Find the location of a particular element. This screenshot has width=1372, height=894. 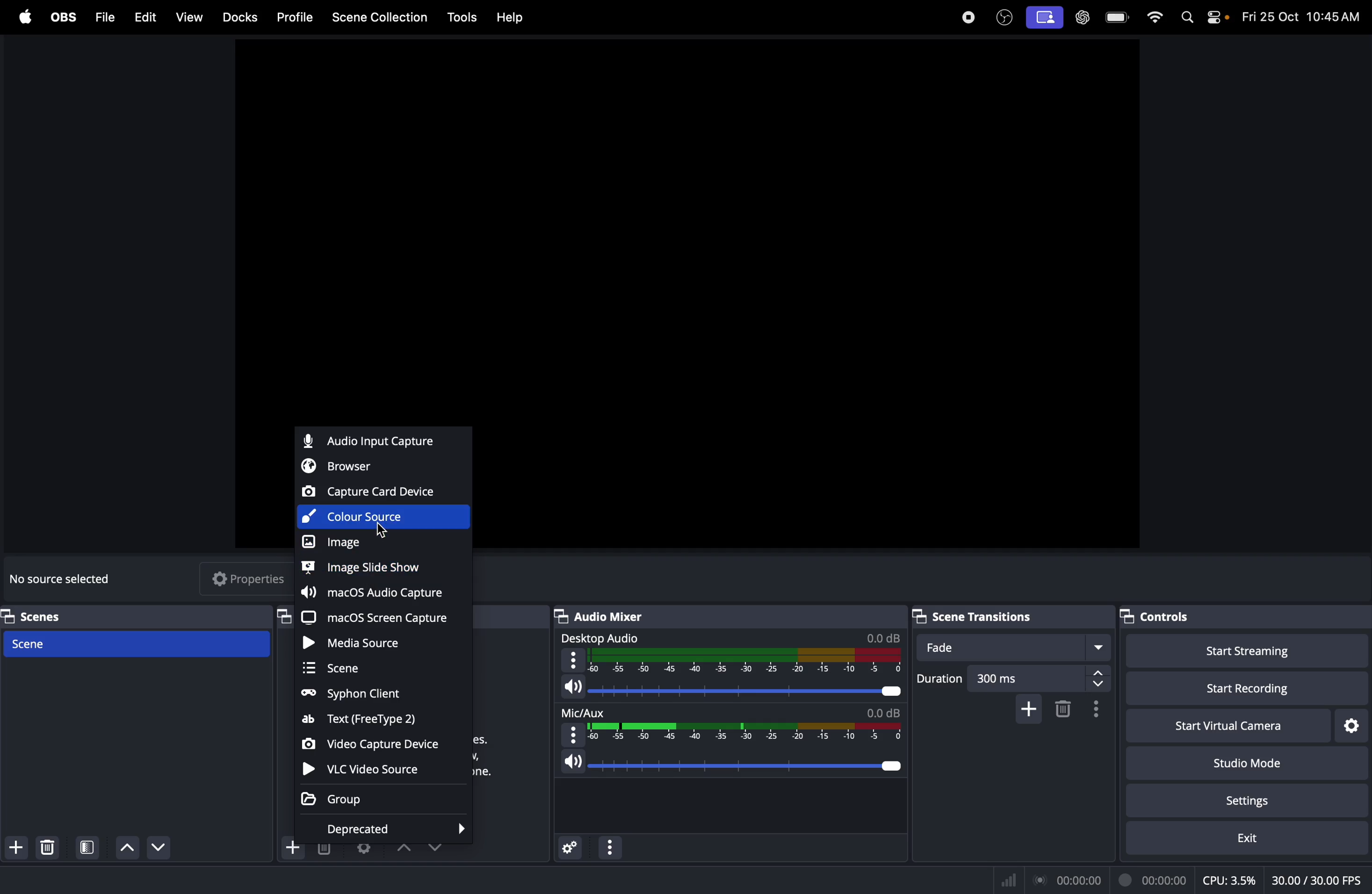

scene is located at coordinates (360, 669).